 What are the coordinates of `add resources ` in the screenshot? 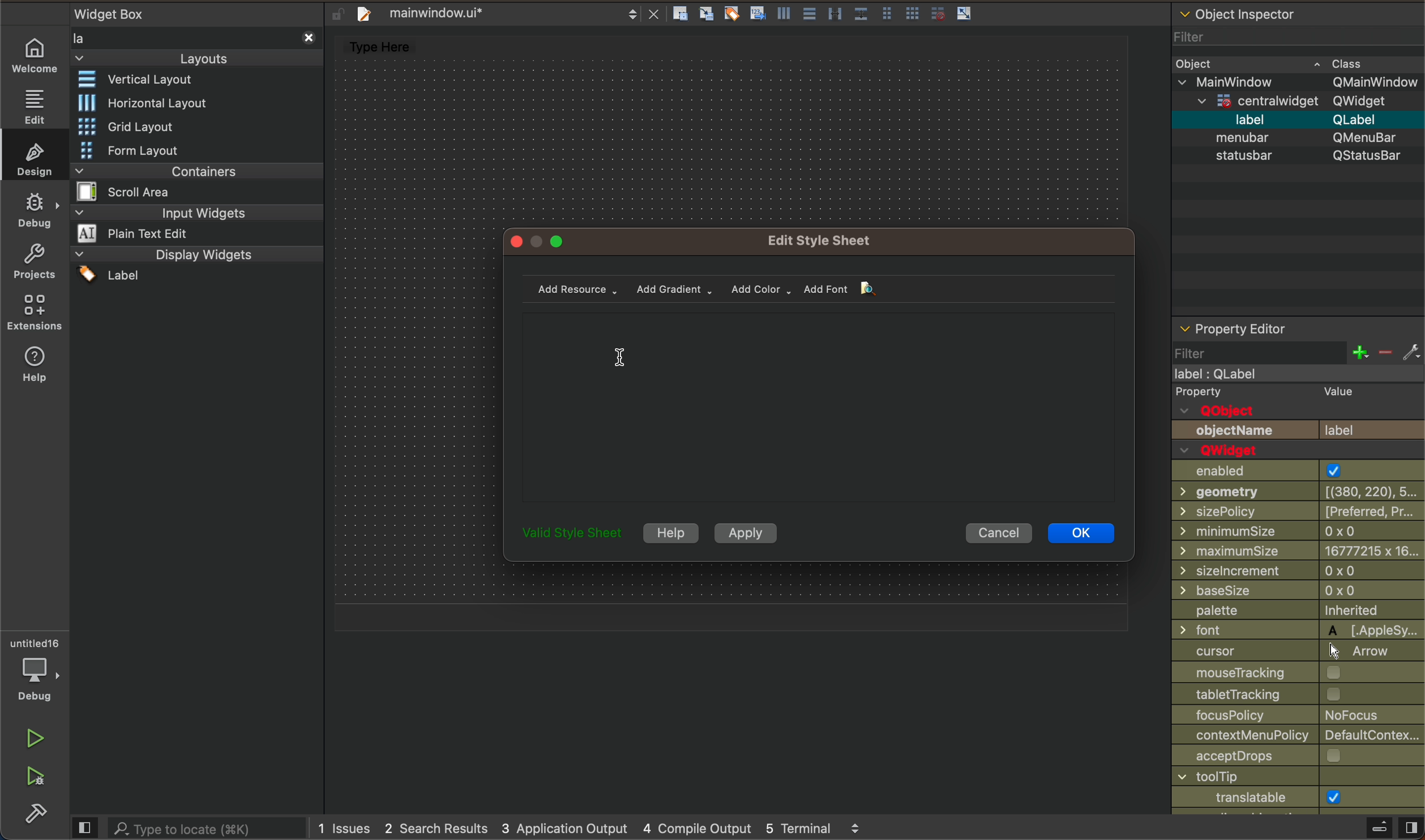 It's located at (577, 288).